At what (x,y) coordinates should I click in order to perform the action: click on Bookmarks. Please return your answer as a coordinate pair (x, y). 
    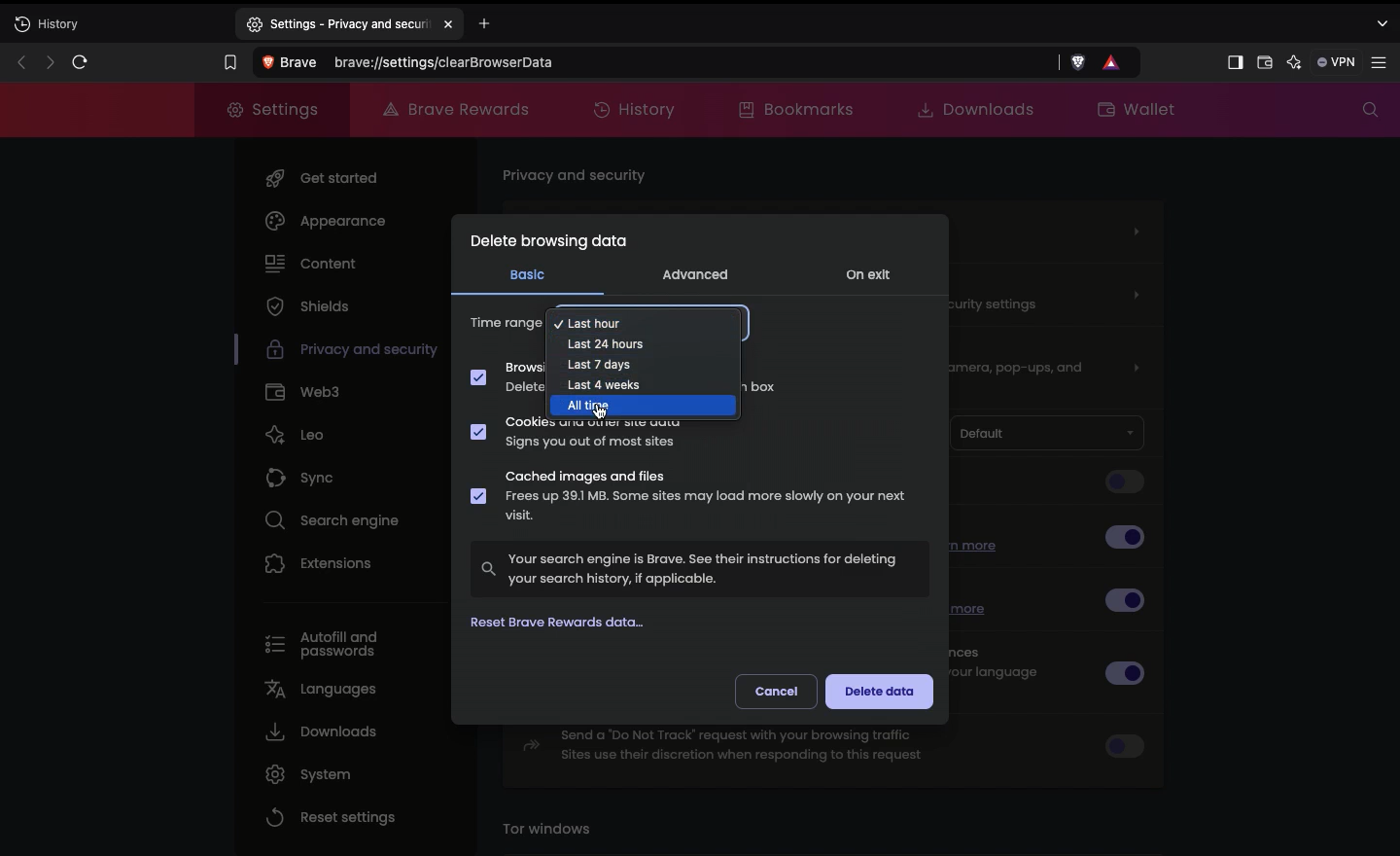
    Looking at the image, I should click on (801, 109).